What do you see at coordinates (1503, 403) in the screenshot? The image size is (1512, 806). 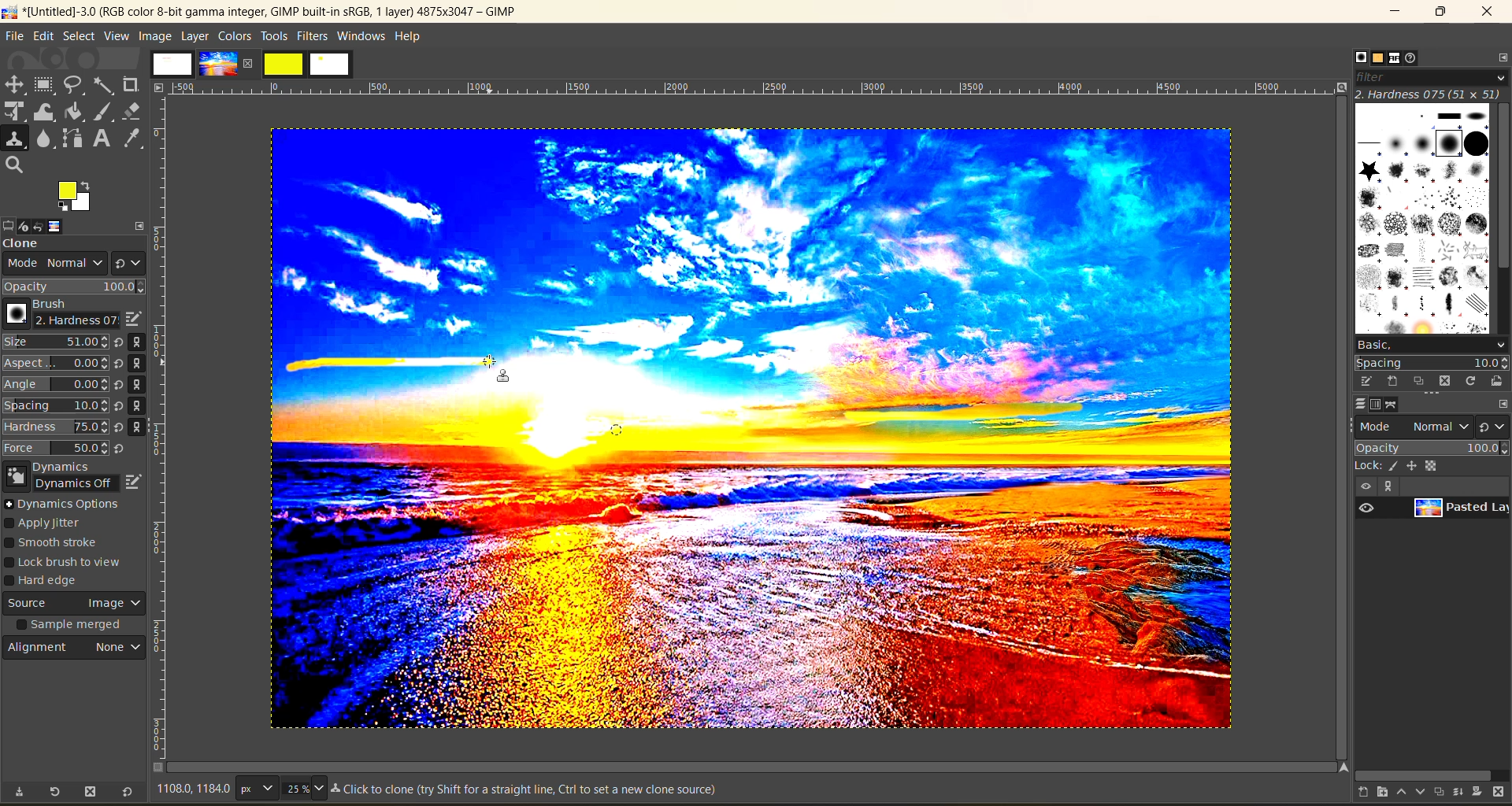 I see `configure` at bounding box center [1503, 403].